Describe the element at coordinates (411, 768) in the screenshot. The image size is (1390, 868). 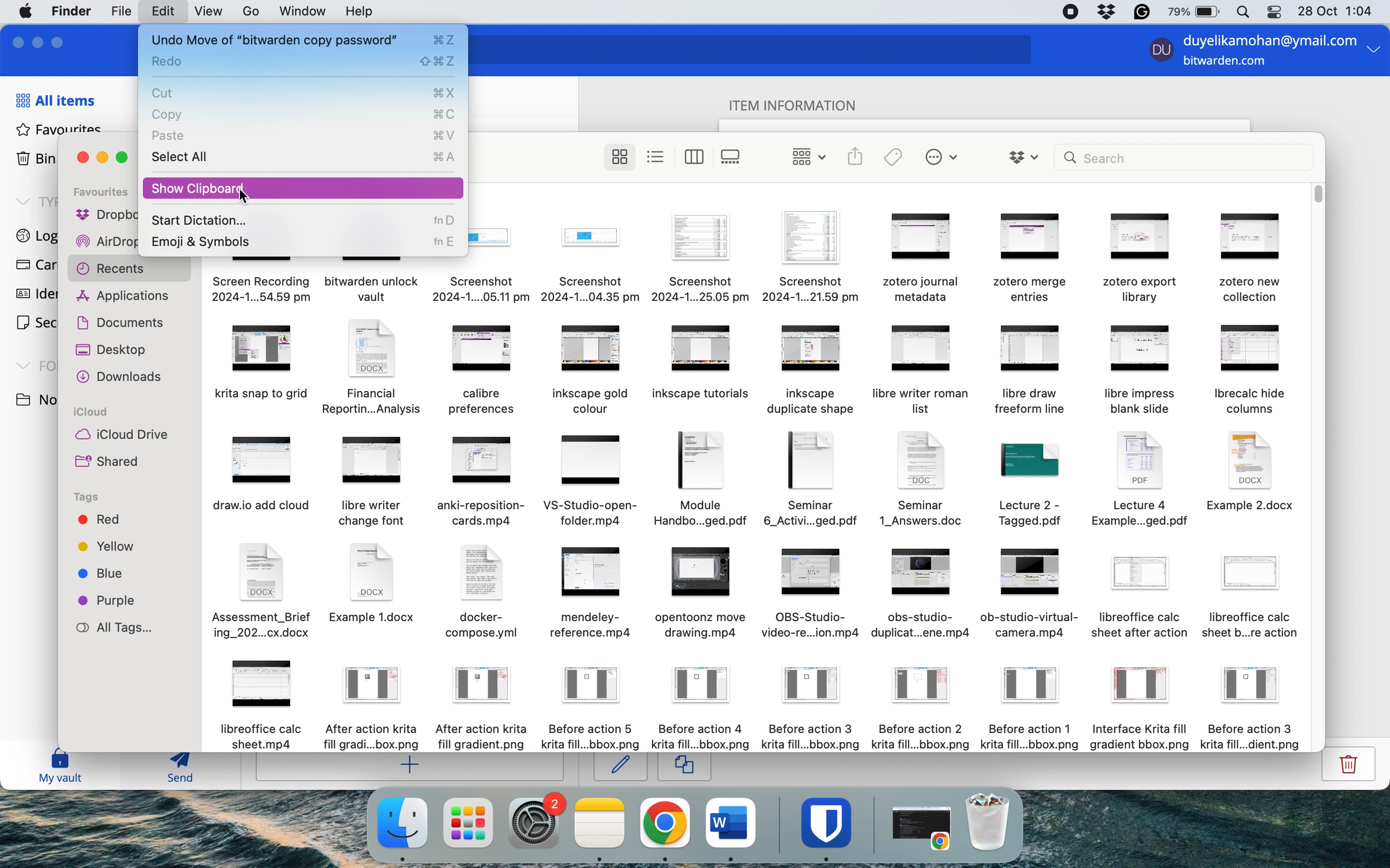
I see `add item` at that location.